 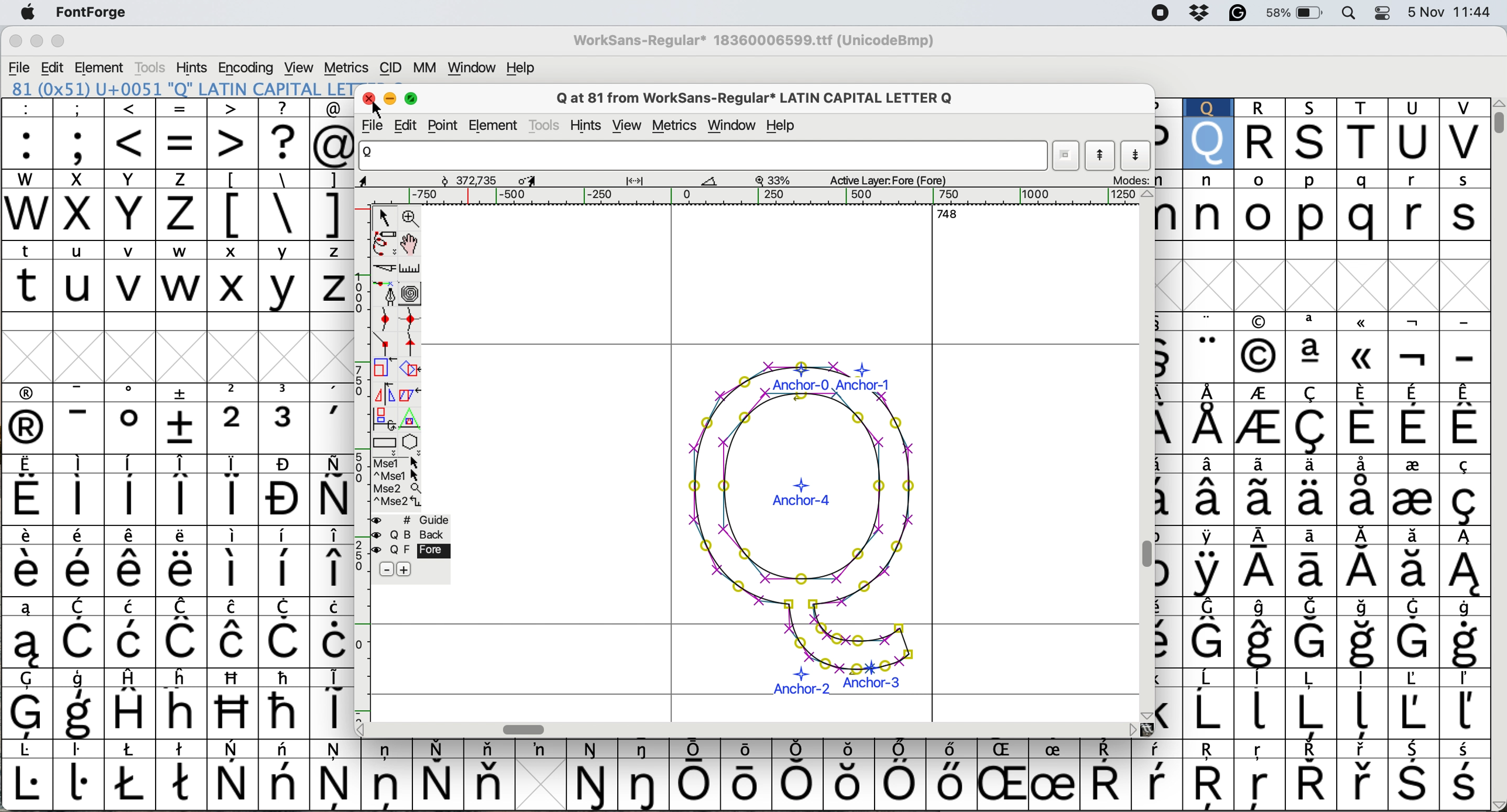 I want to click on uppercase letters, so click(x=1324, y=132).